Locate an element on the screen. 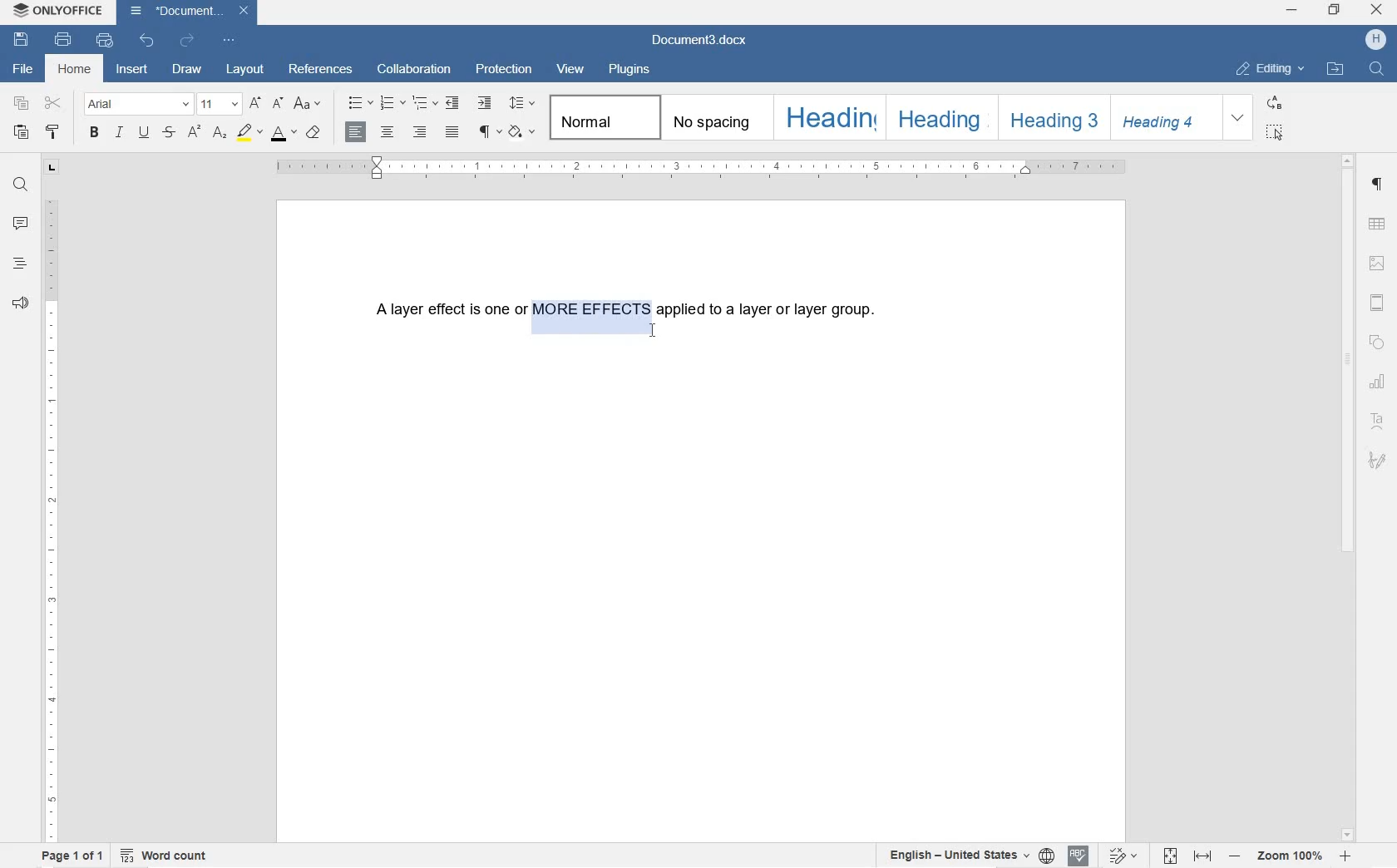 The width and height of the screenshot is (1397, 868). NORMAL is located at coordinates (602, 117).